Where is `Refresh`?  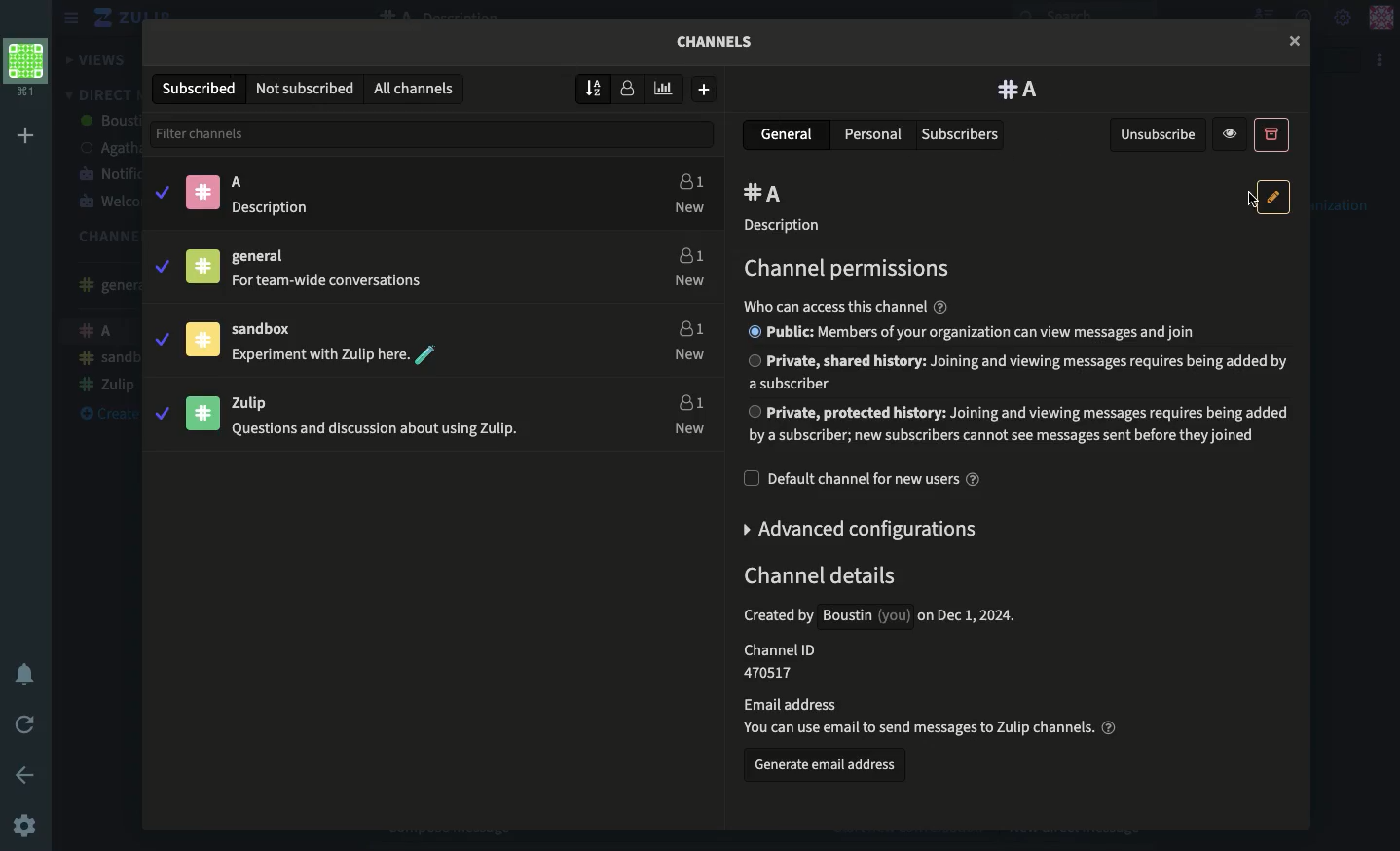
Refresh is located at coordinates (25, 726).